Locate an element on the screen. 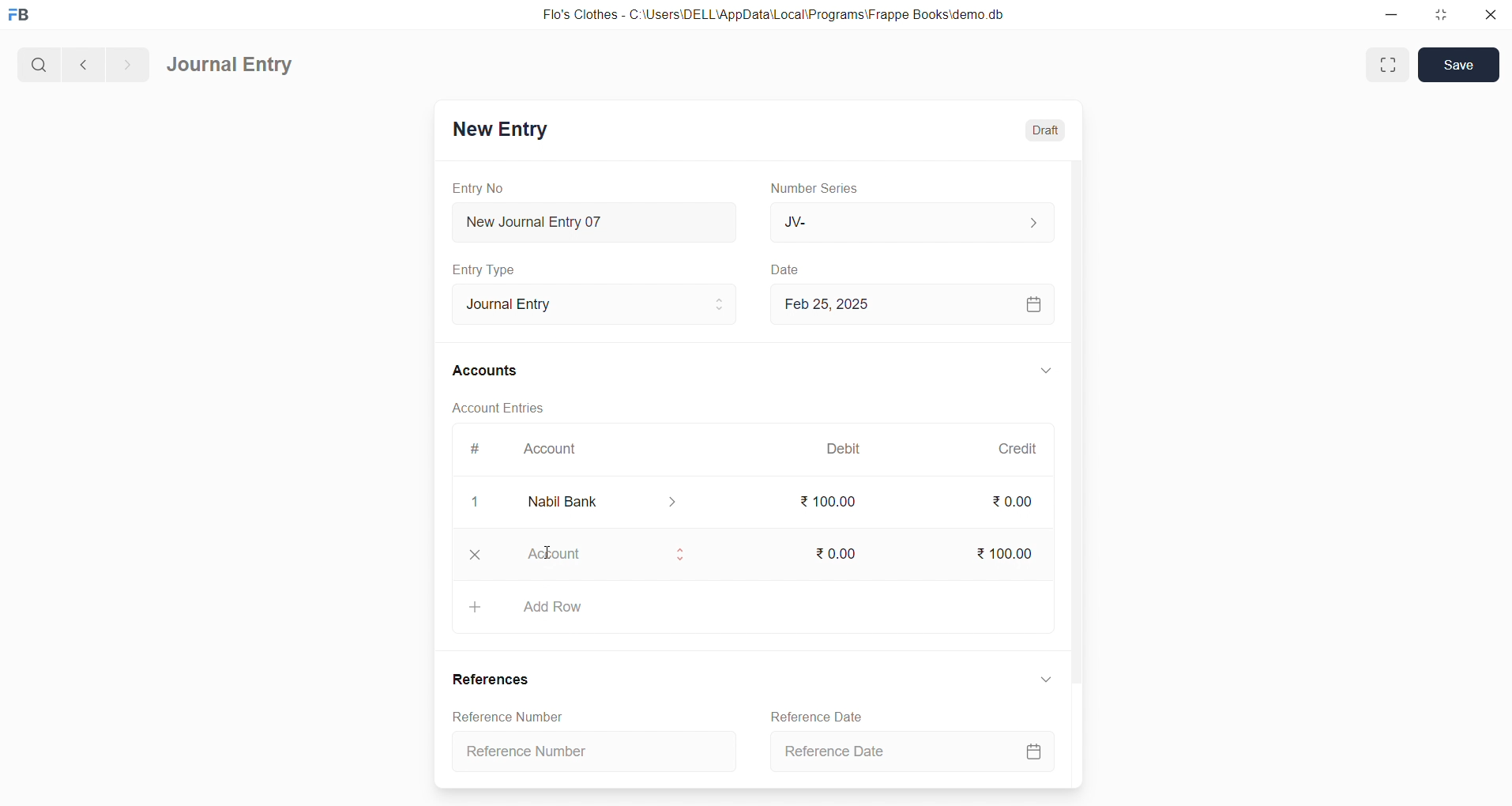  Feb 25, 2025 is located at coordinates (914, 304).